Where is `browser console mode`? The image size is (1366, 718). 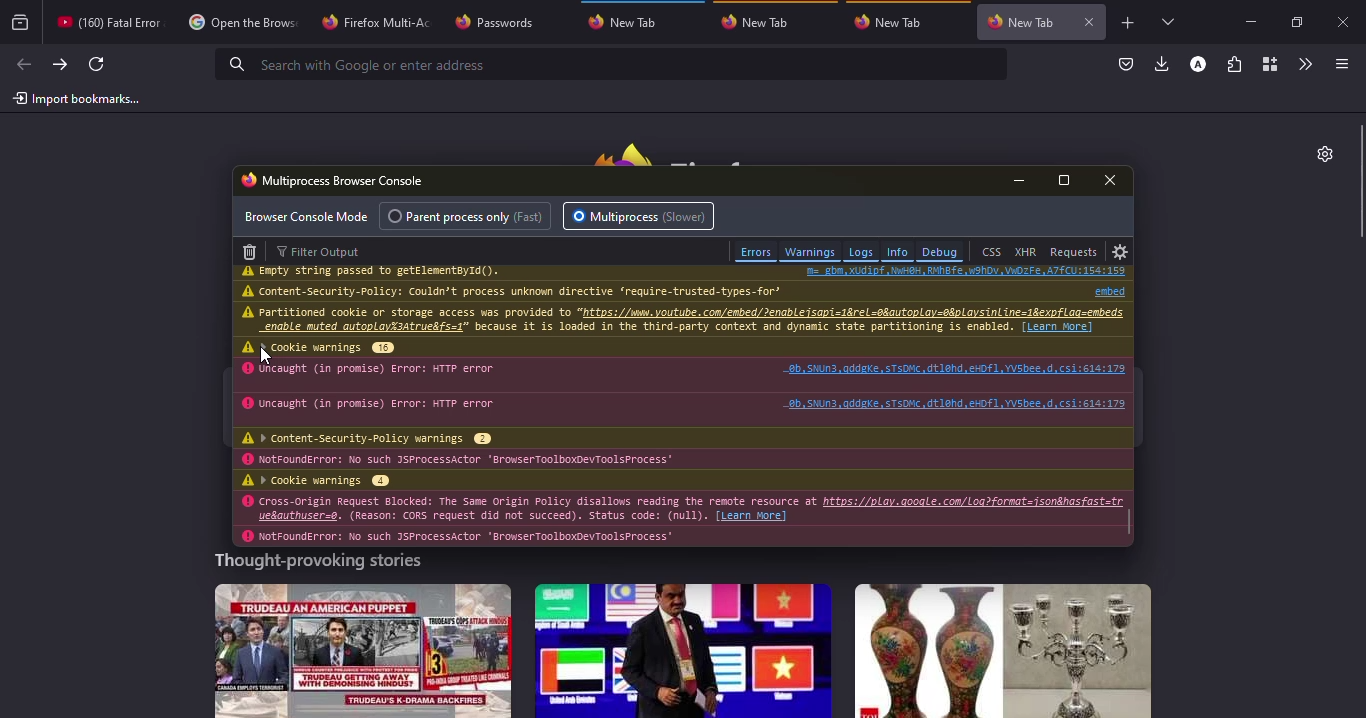
browser console mode is located at coordinates (307, 216).